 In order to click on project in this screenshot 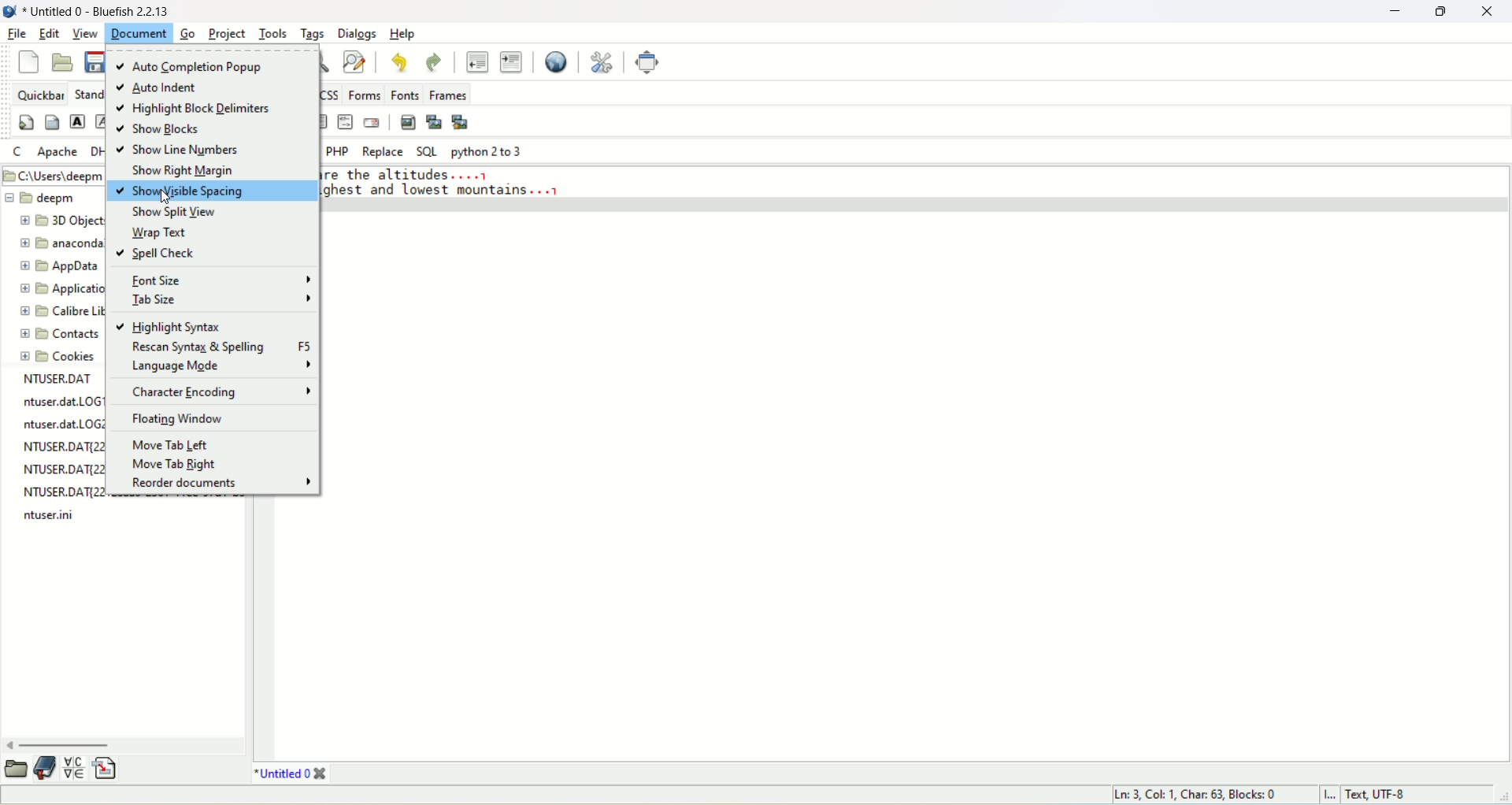, I will do `click(226, 33)`.